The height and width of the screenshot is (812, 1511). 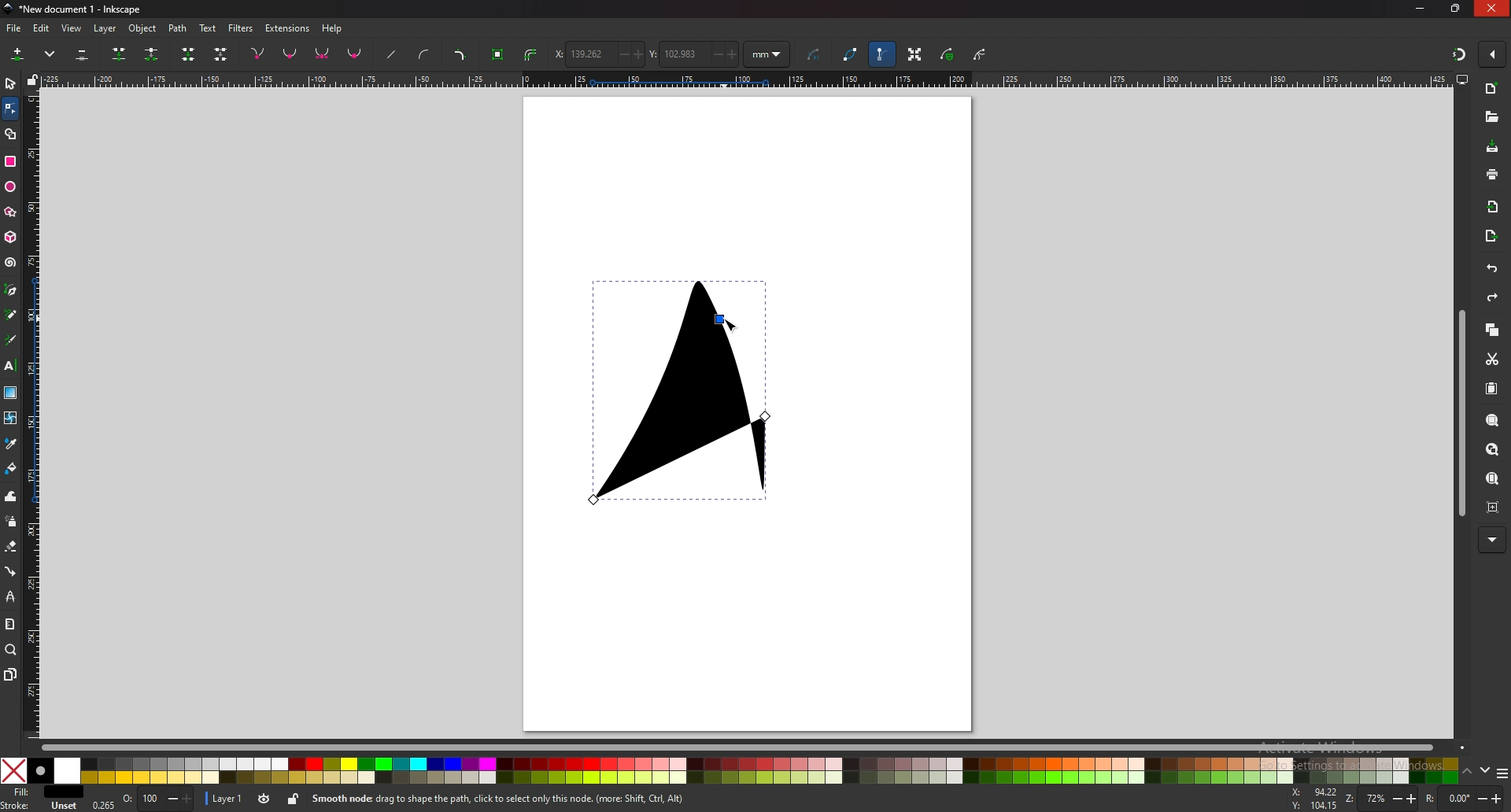 What do you see at coordinates (323, 54) in the screenshot?
I see `nodes symmetrical` at bounding box center [323, 54].